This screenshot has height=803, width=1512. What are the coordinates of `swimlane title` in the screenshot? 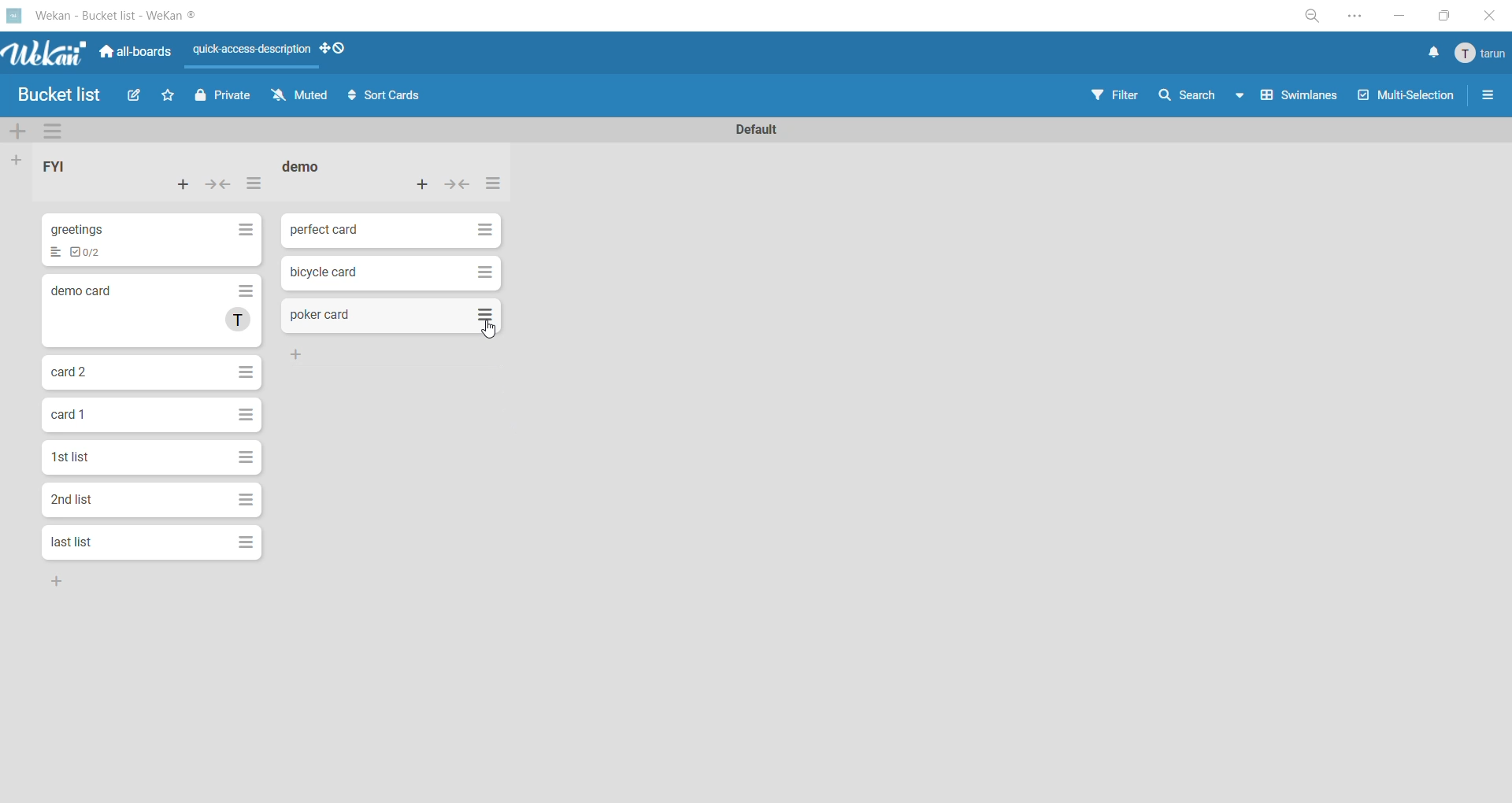 It's located at (757, 128).